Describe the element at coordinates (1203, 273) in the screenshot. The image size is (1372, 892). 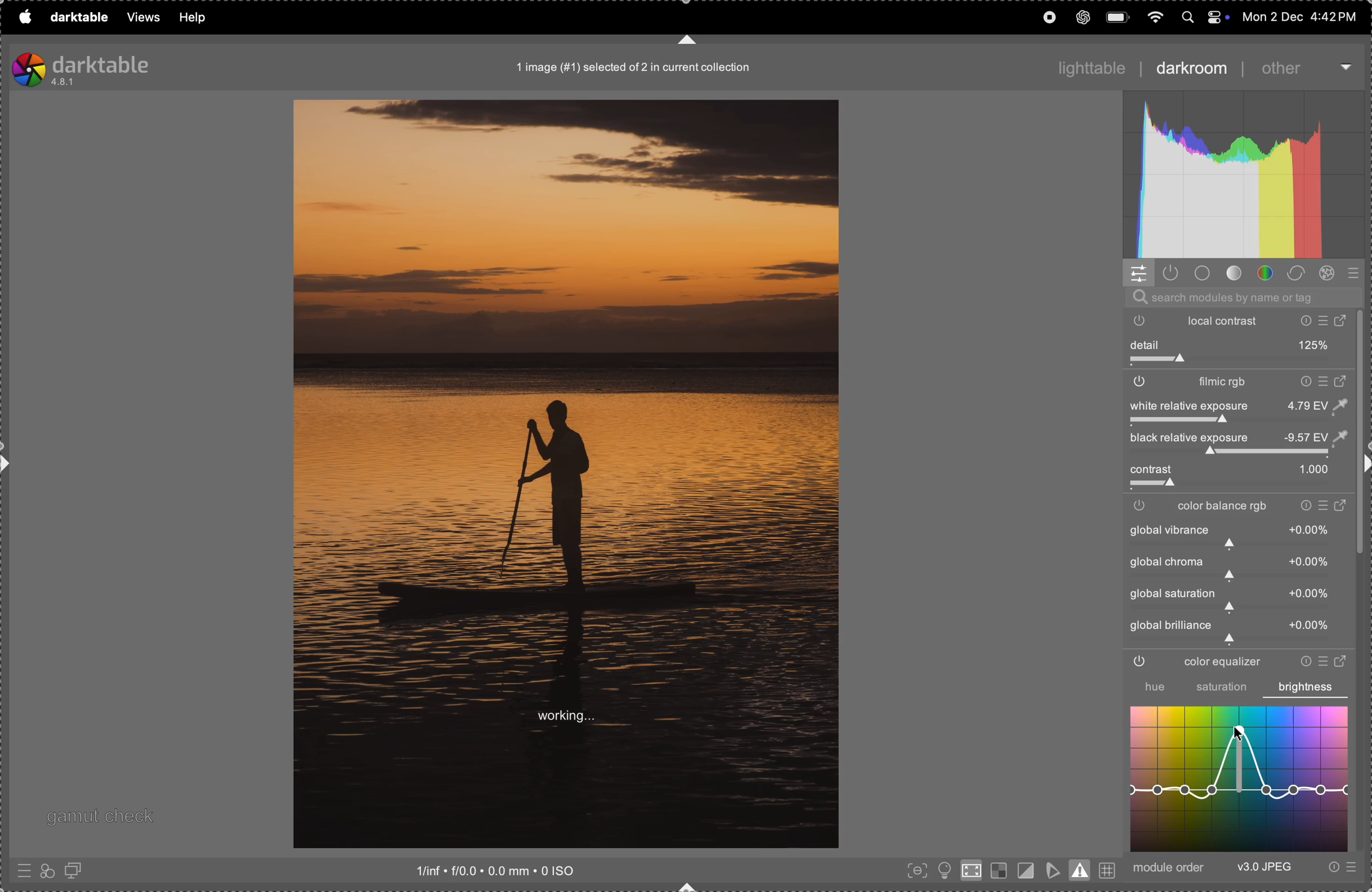
I see `base` at that location.